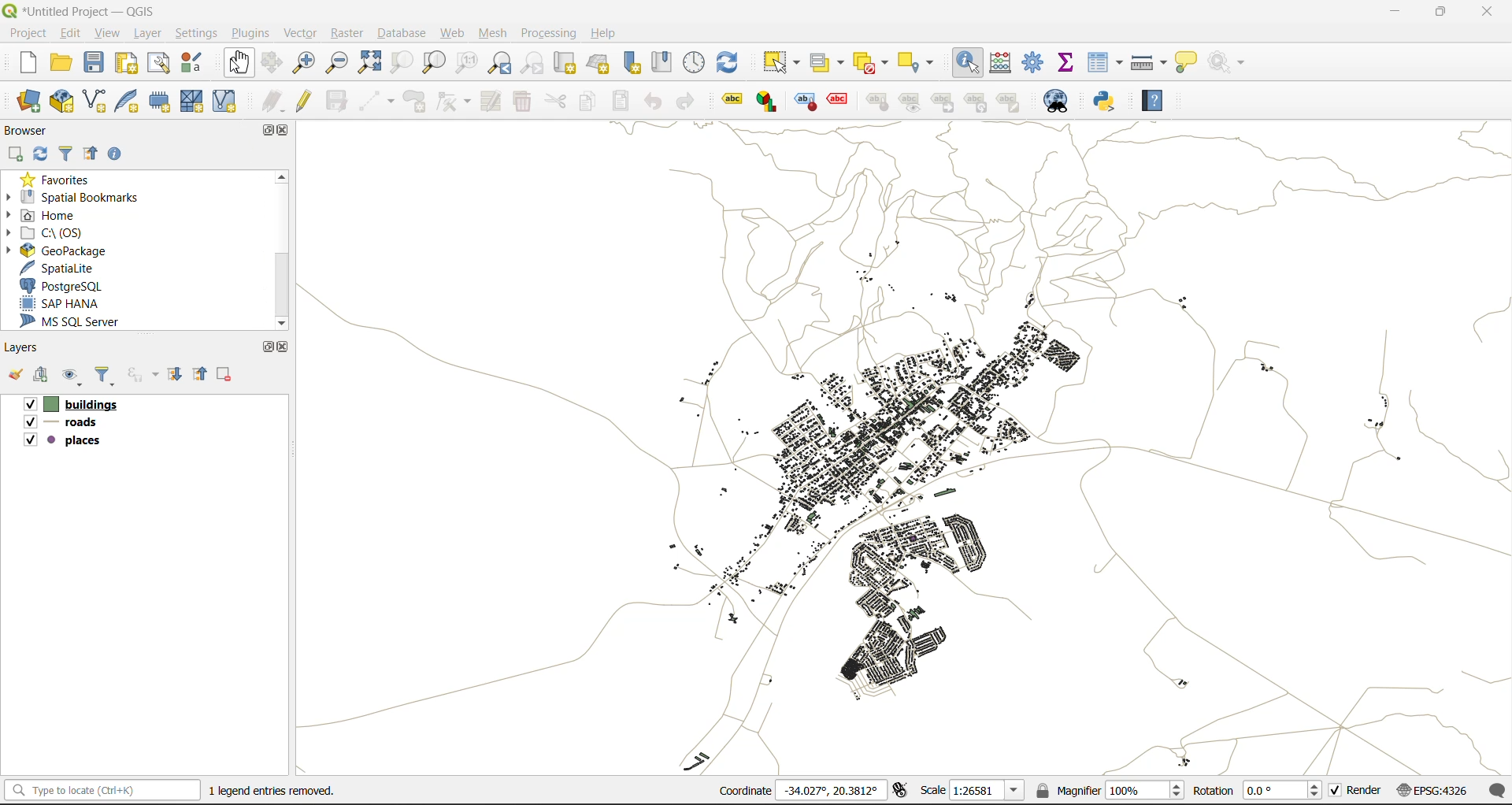  Describe the element at coordinates (1256, 790) in the screenshot. I see `rotation` at that location.